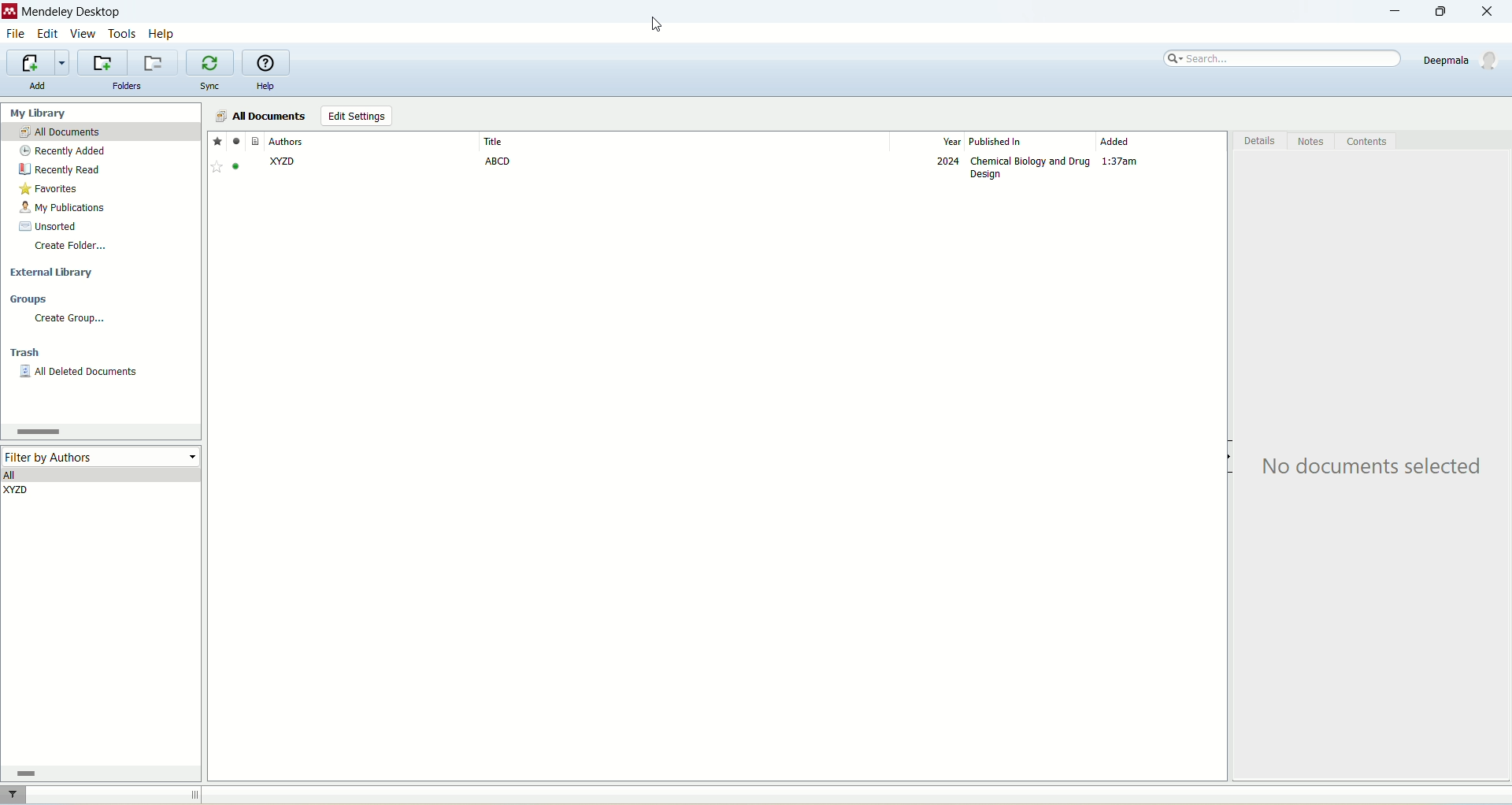 Image resolution: width=1512 pixels, height=805 pixels. Describe the element at coordinates (69, 13) in the screenshot. I see `mendeley desktop` at that location.